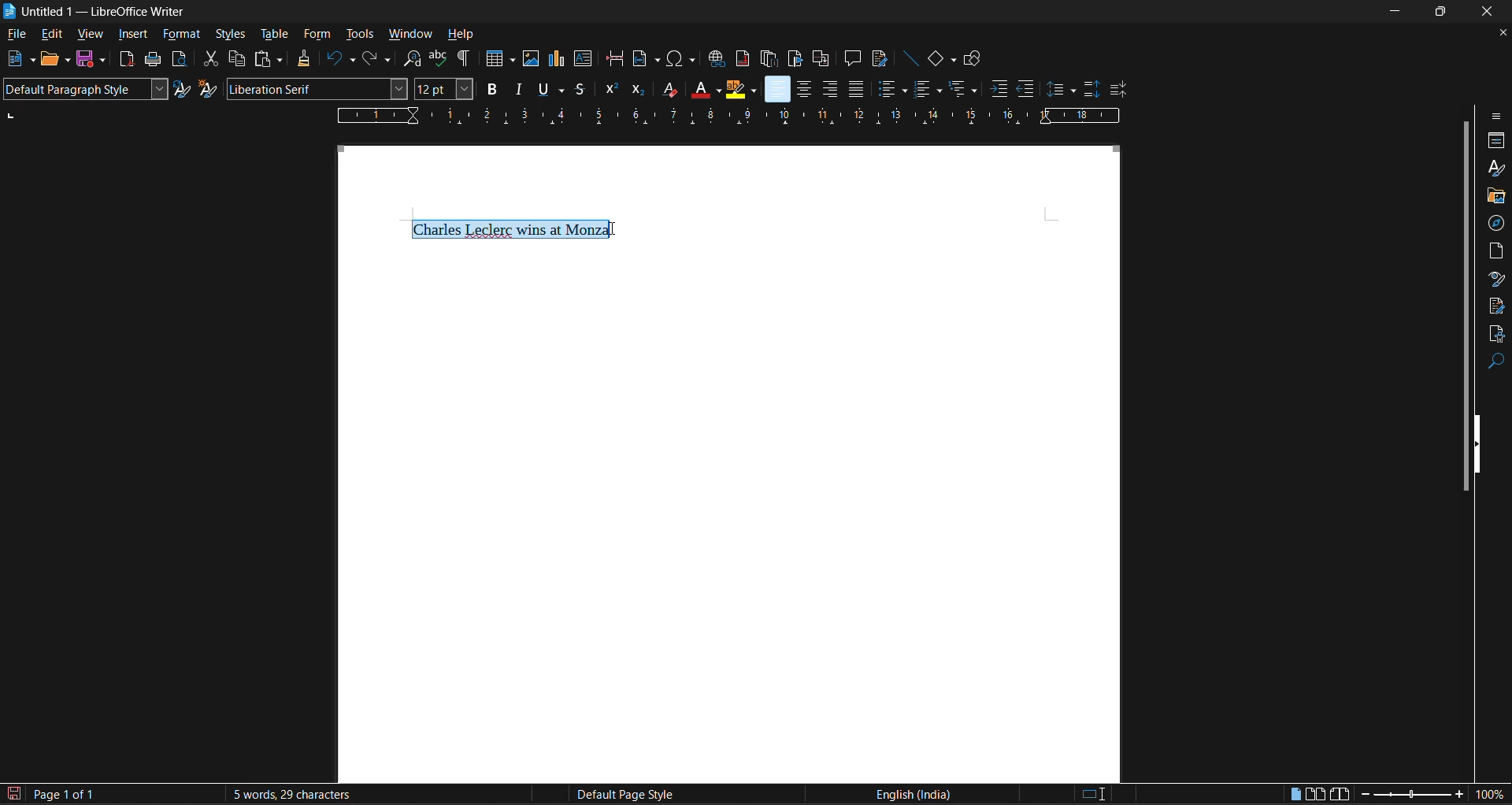 The width and height of the screenshot is (1512, 805). I want to click on toggle unordered list, so click(891, 87).